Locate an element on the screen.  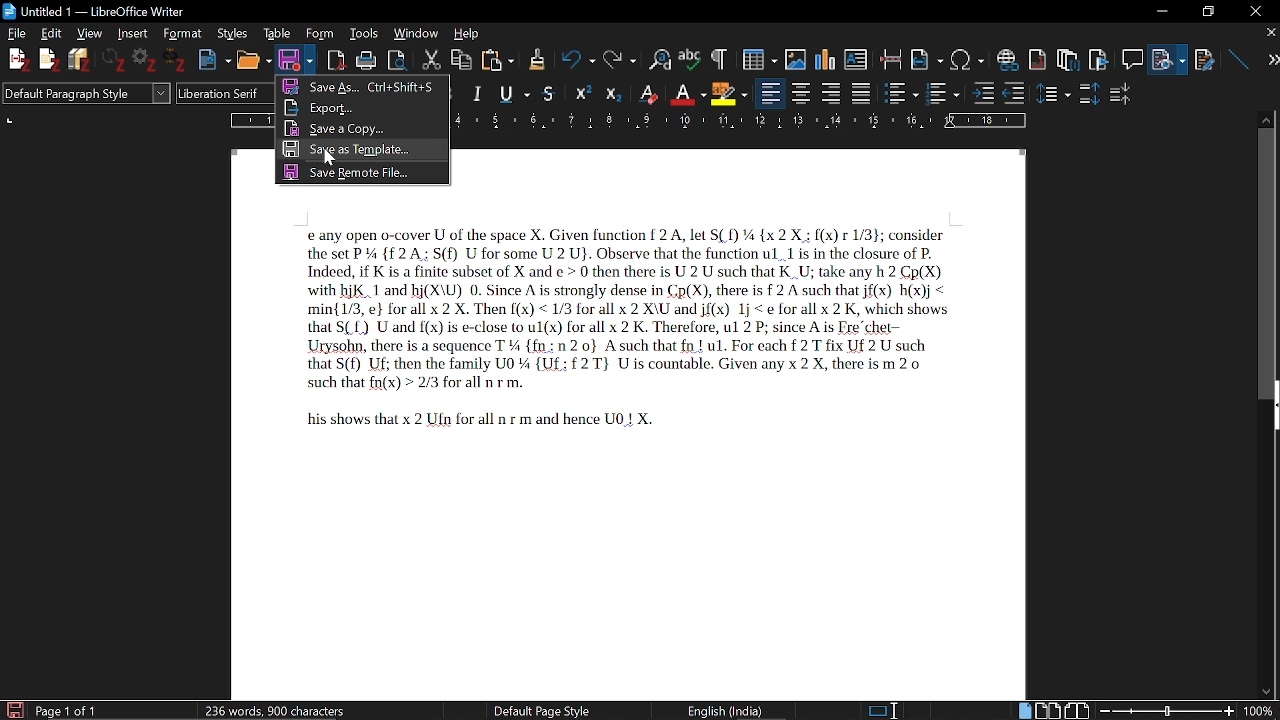
toggle ordered lists is located at coordinates (944, 92).